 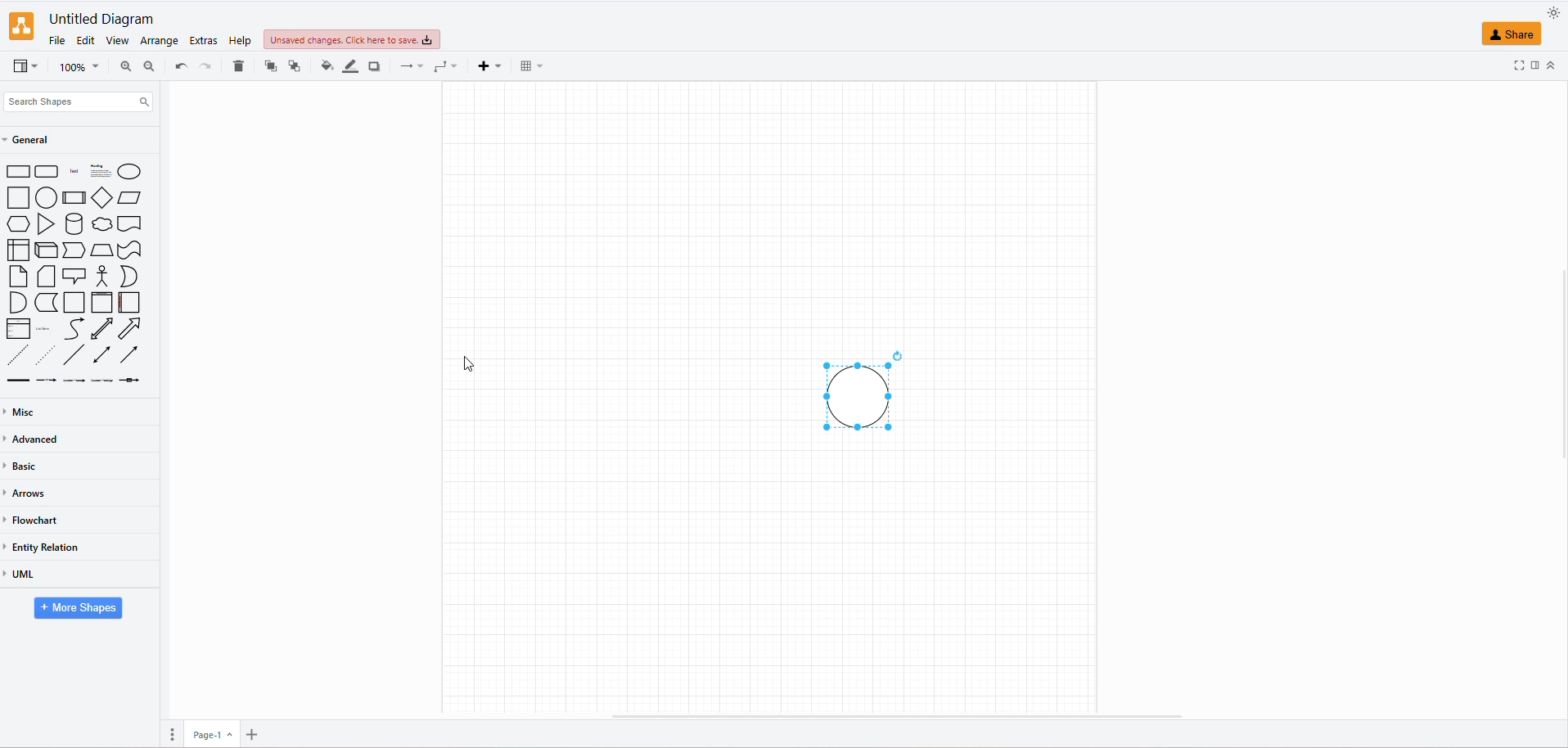 What do you see at coordinates (75, 104) in the screenshot?
I see `SEARCH` at bounding box center [75, 104].